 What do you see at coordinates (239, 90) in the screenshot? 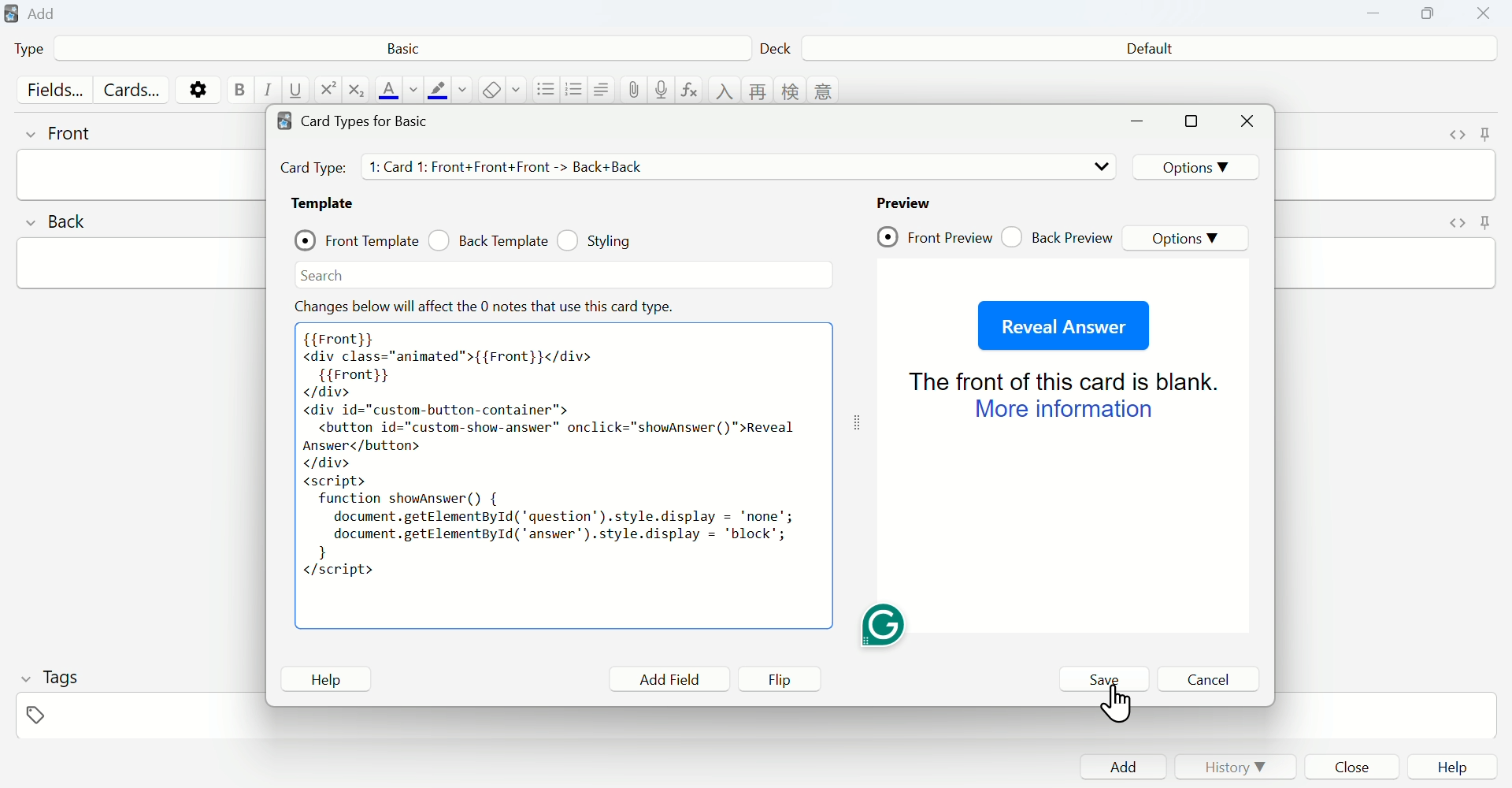
I see `bold text` at bounding box center [239, 90].